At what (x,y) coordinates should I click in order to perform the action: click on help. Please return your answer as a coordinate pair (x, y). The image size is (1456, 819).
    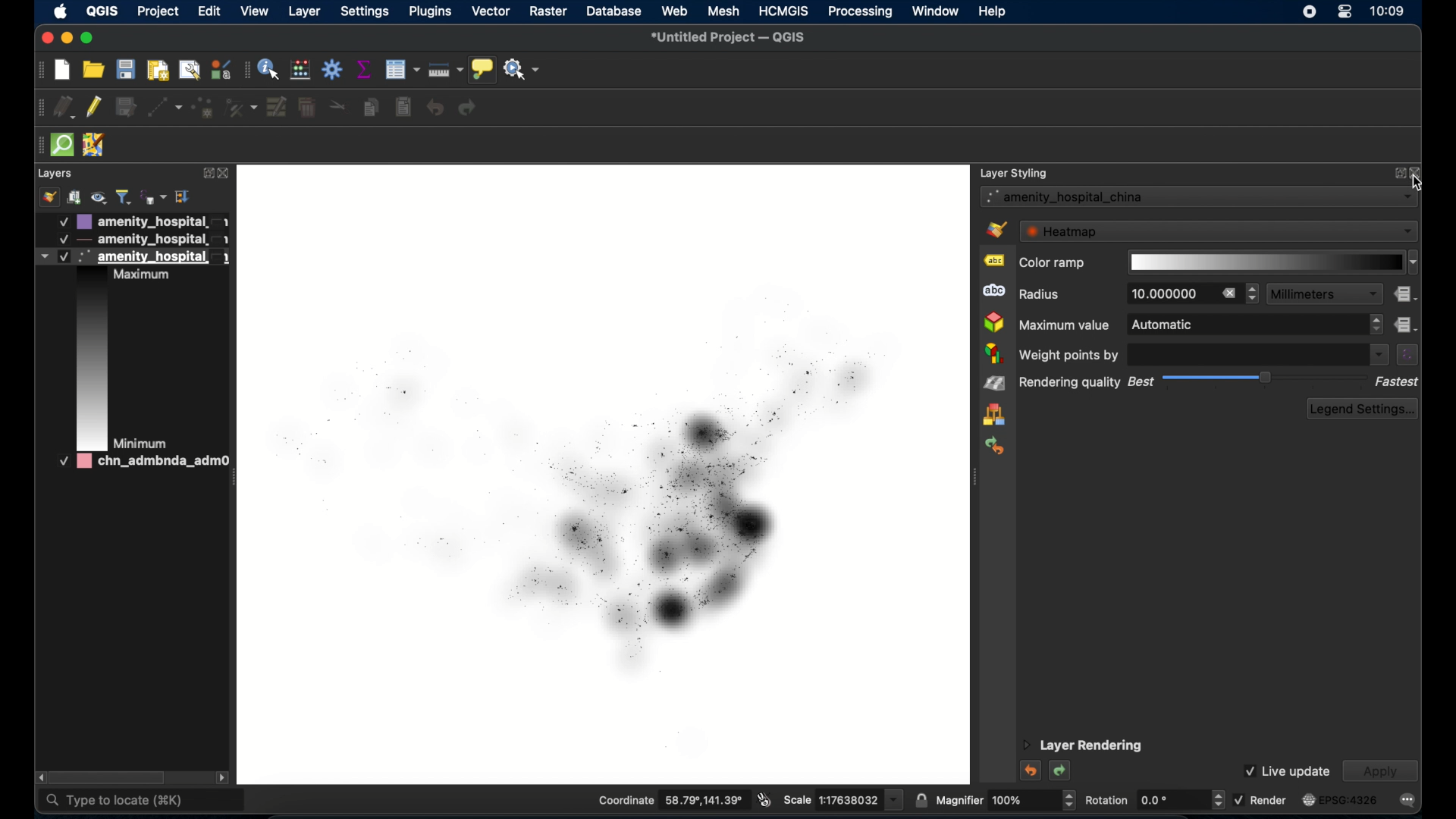
    Looking at the image, I should click on (994, 11).